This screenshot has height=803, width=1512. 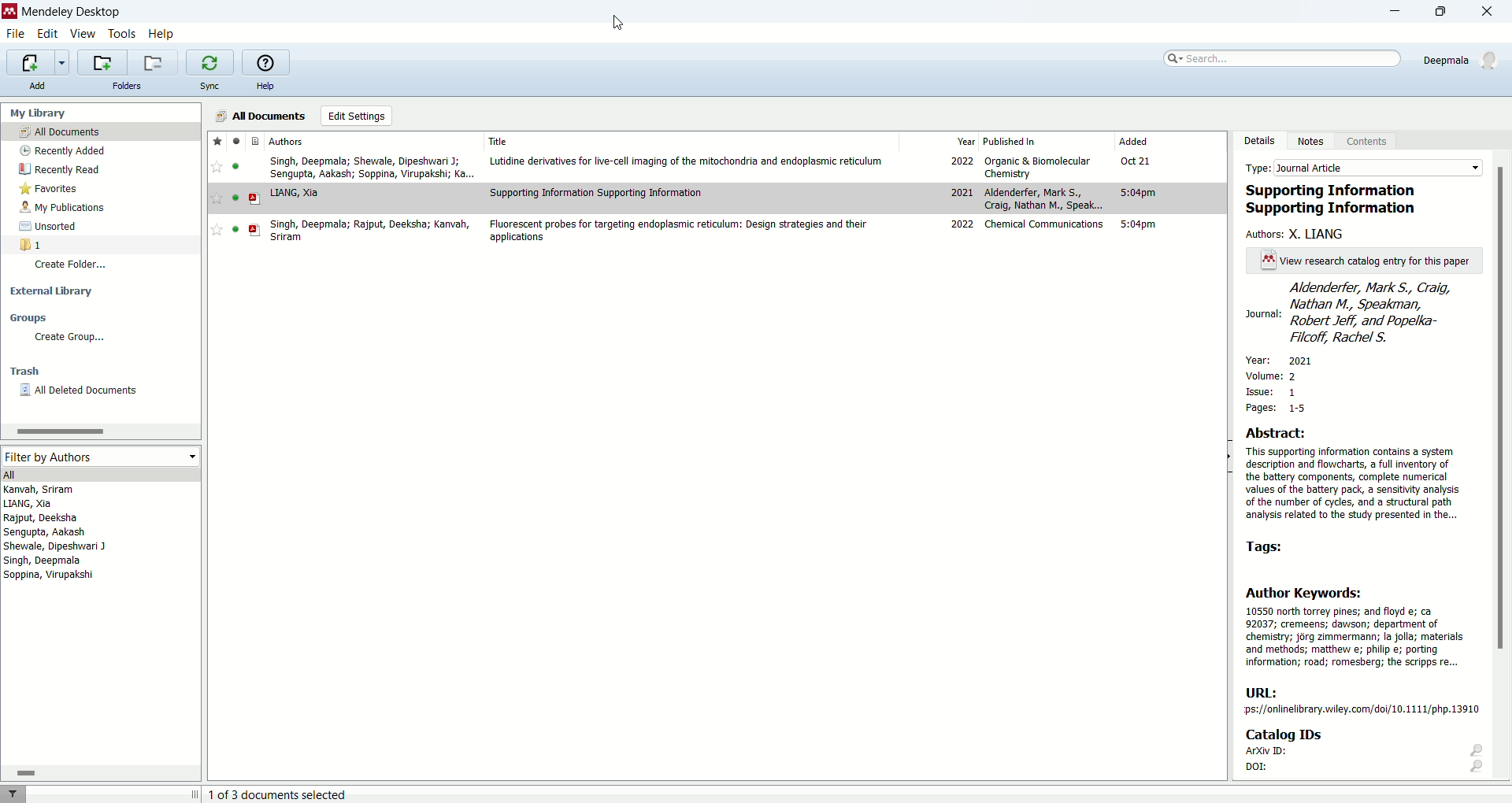 What do you see at coordinates (129, 87) in the screenshot?
I see `folders` at bounding box center [129, 87].